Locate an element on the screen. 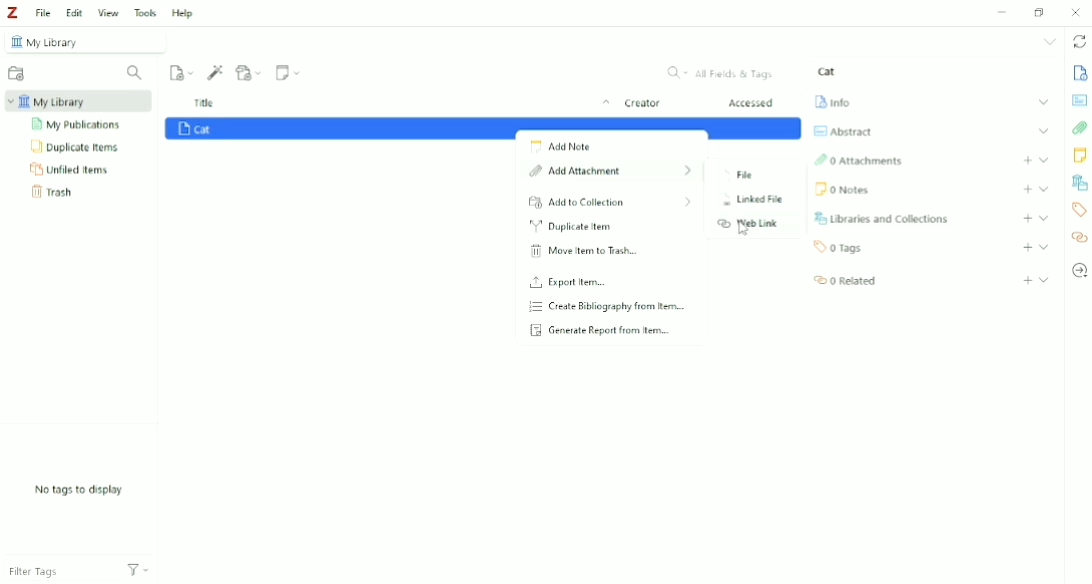 The height and width of the screenshot is (584, 1092). File is located at coordinates (42, 12).